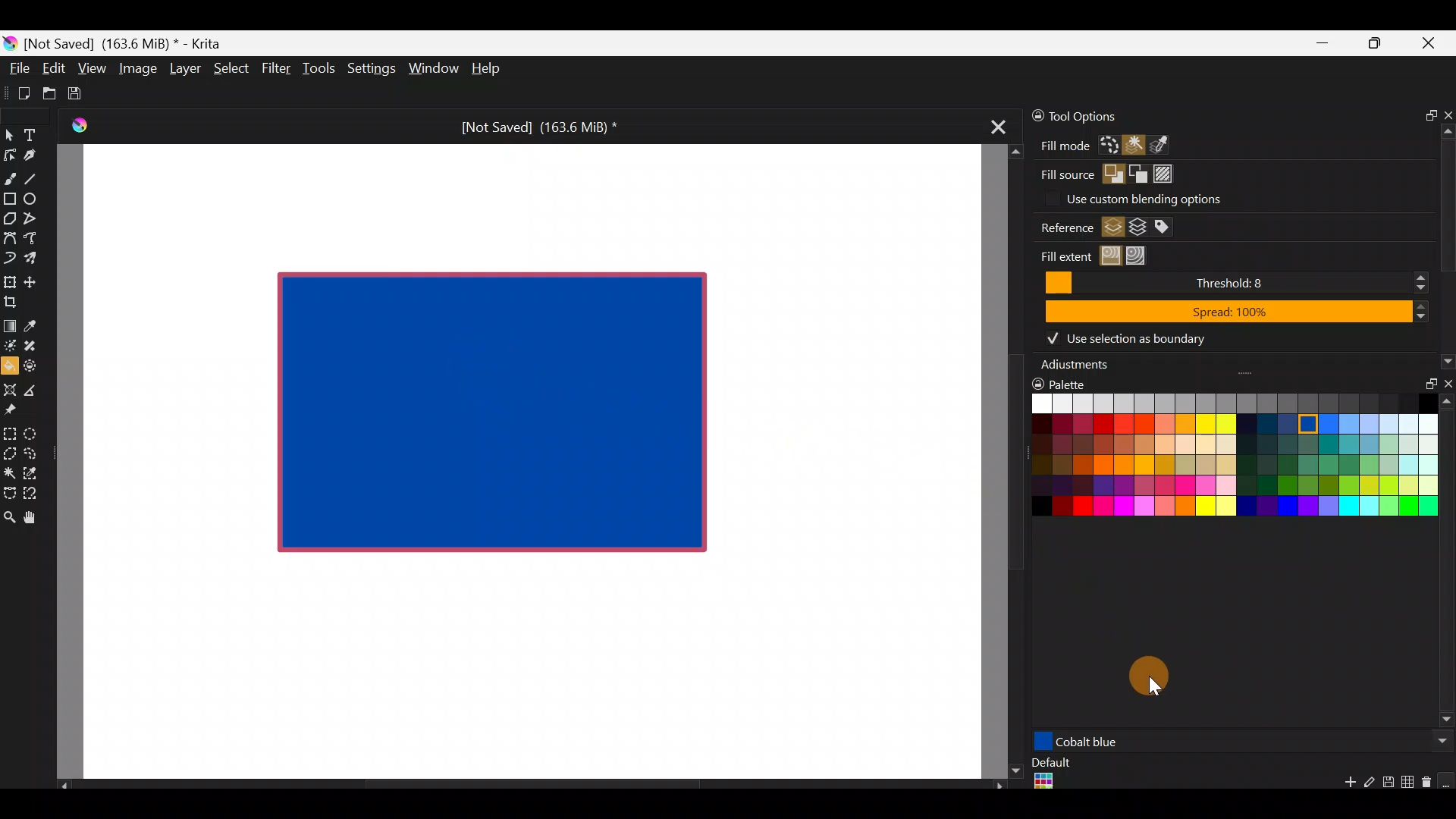 The height and width of the screenshot is (819, 1456). Describe the element at coordinates (1447, 781) in the screenshot. I see `Lock the current palette` at that location.